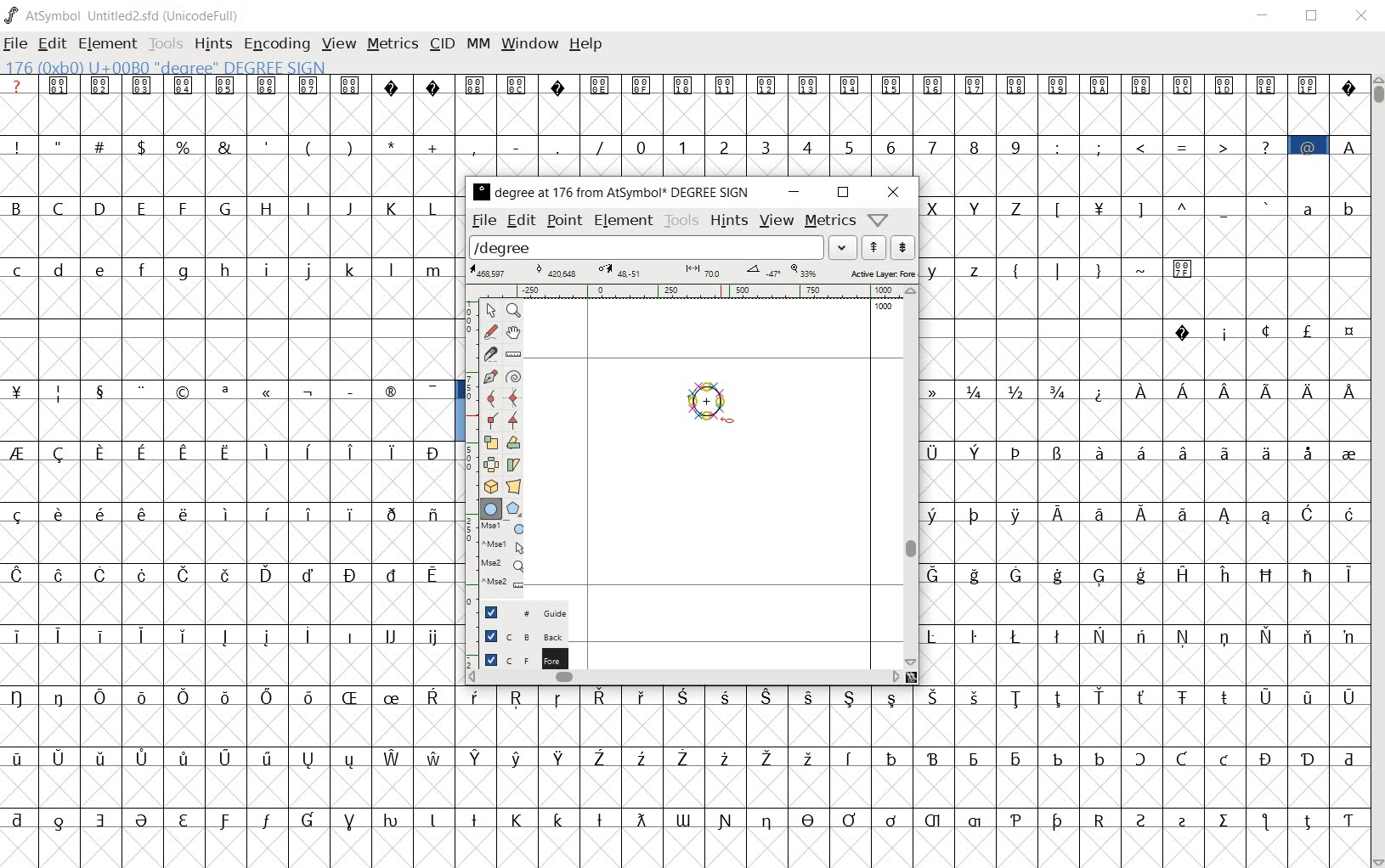  I want to click on rectangle or ellipse, so click(490, 508).